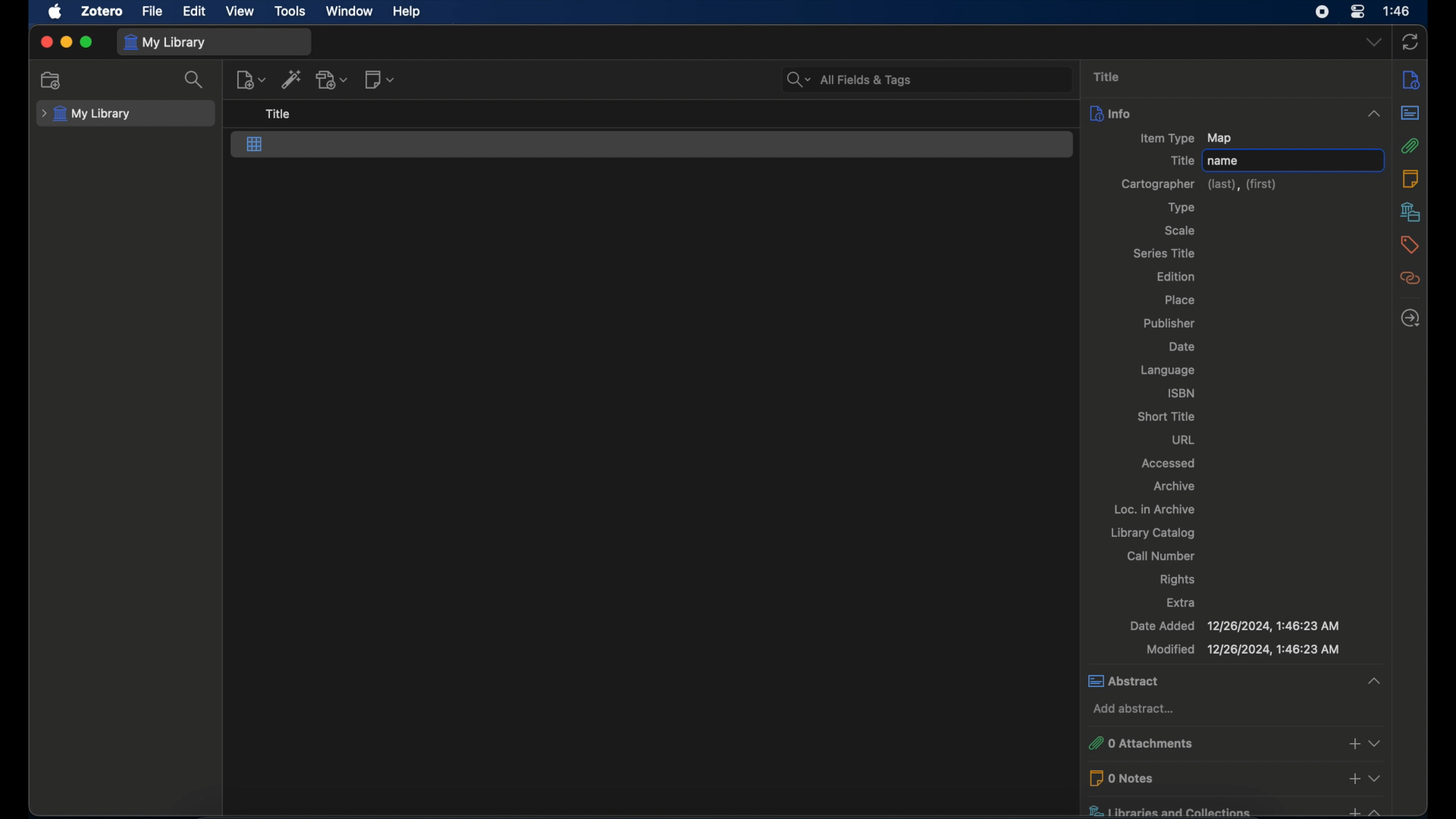 The image size is (1456, 819). What do you see at coordinates (255, 145) in the screenshot?
I see `map` at bounding box center [255, 145].